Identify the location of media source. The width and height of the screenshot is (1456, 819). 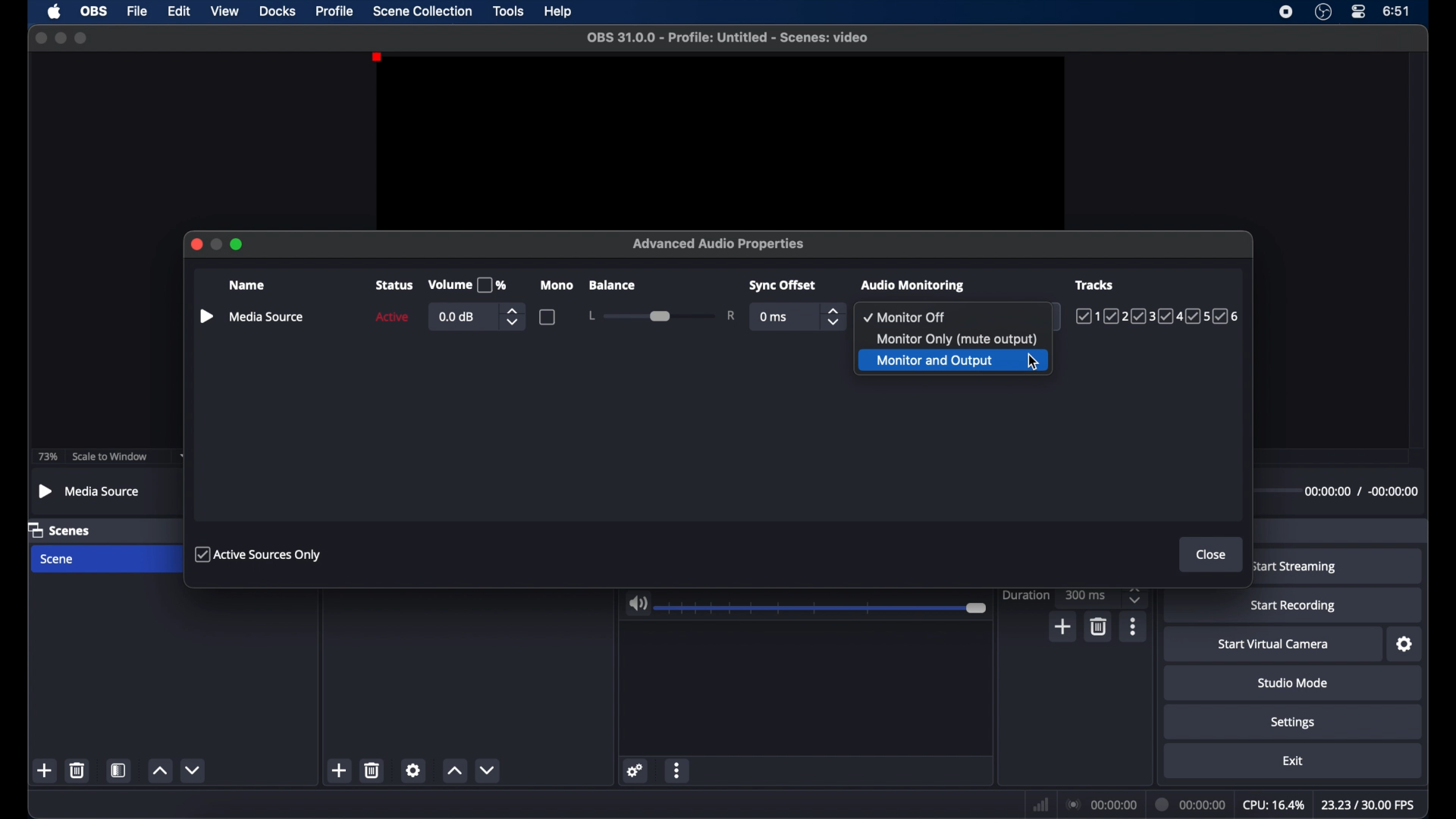
(267, 317).